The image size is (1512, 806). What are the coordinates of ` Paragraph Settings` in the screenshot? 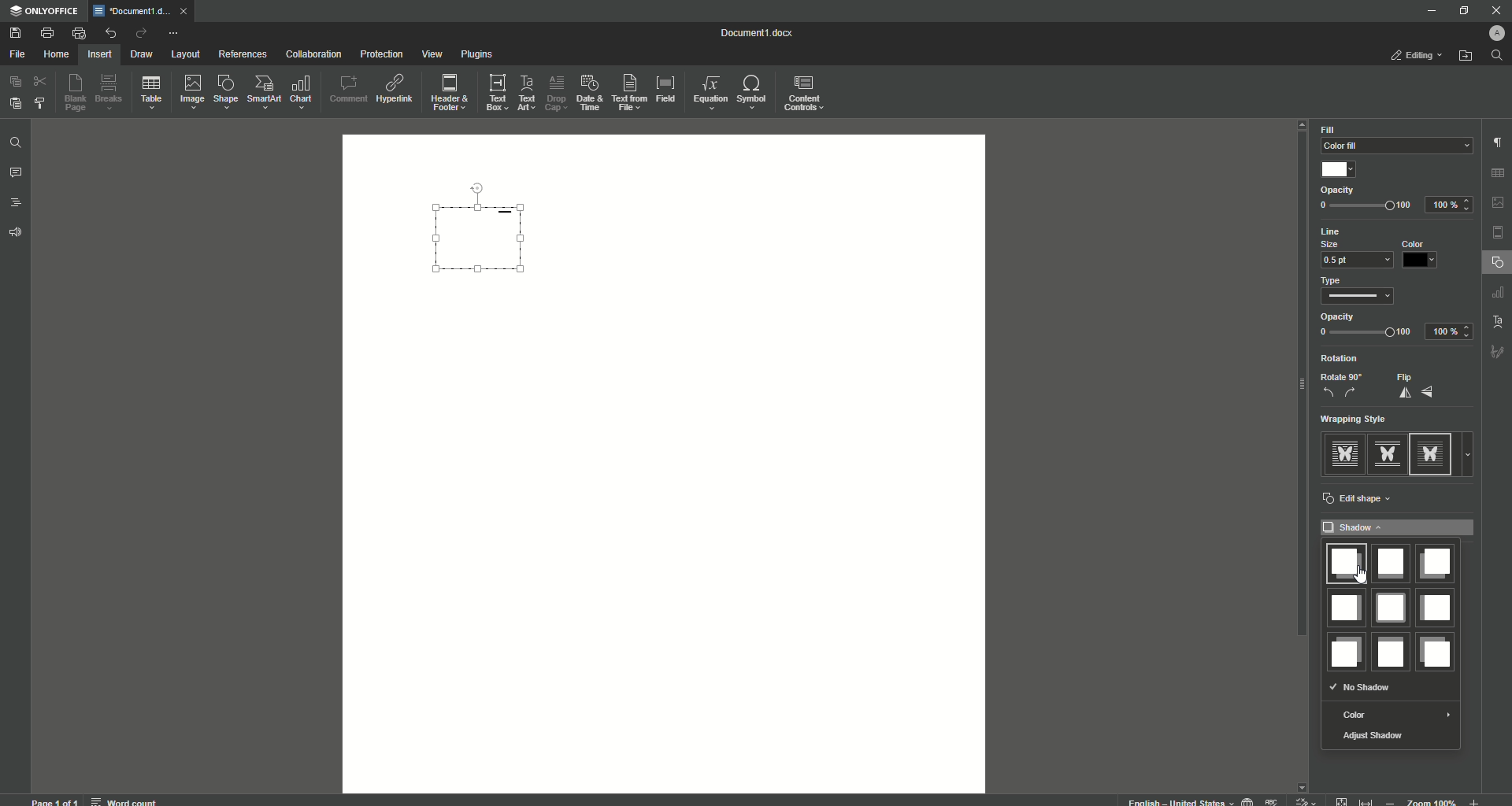 It's located at (1496, 142).